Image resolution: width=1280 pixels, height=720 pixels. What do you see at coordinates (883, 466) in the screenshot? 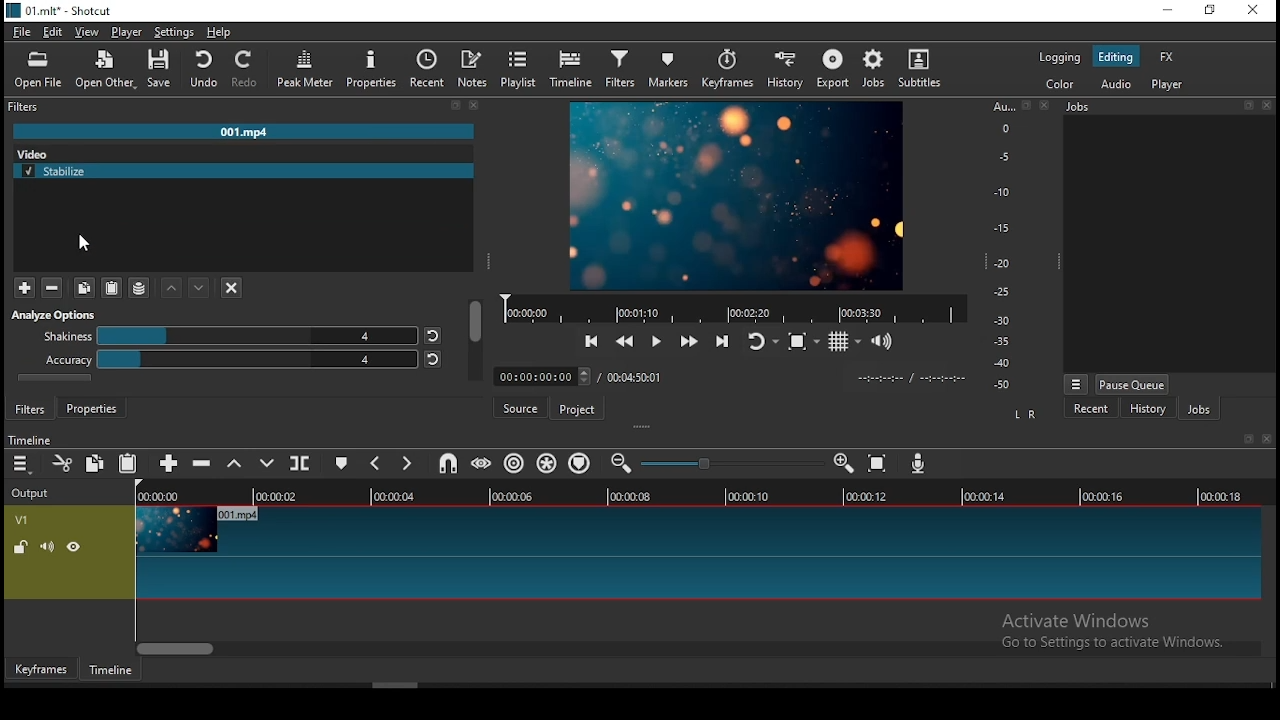
I see `zoom timeline to fit` at bounding box center [883, 466].